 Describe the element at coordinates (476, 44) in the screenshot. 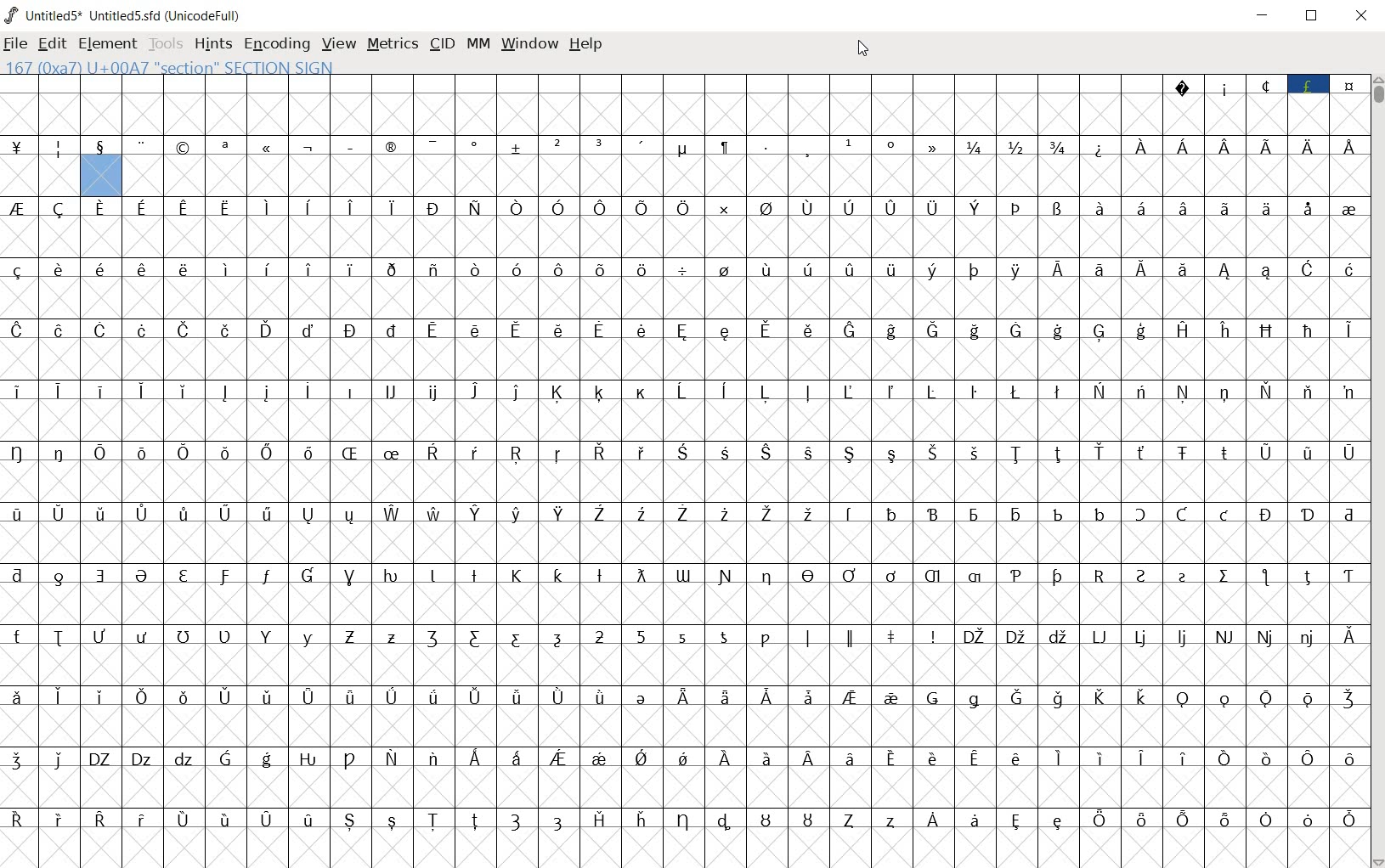

I see `mm` at that location.